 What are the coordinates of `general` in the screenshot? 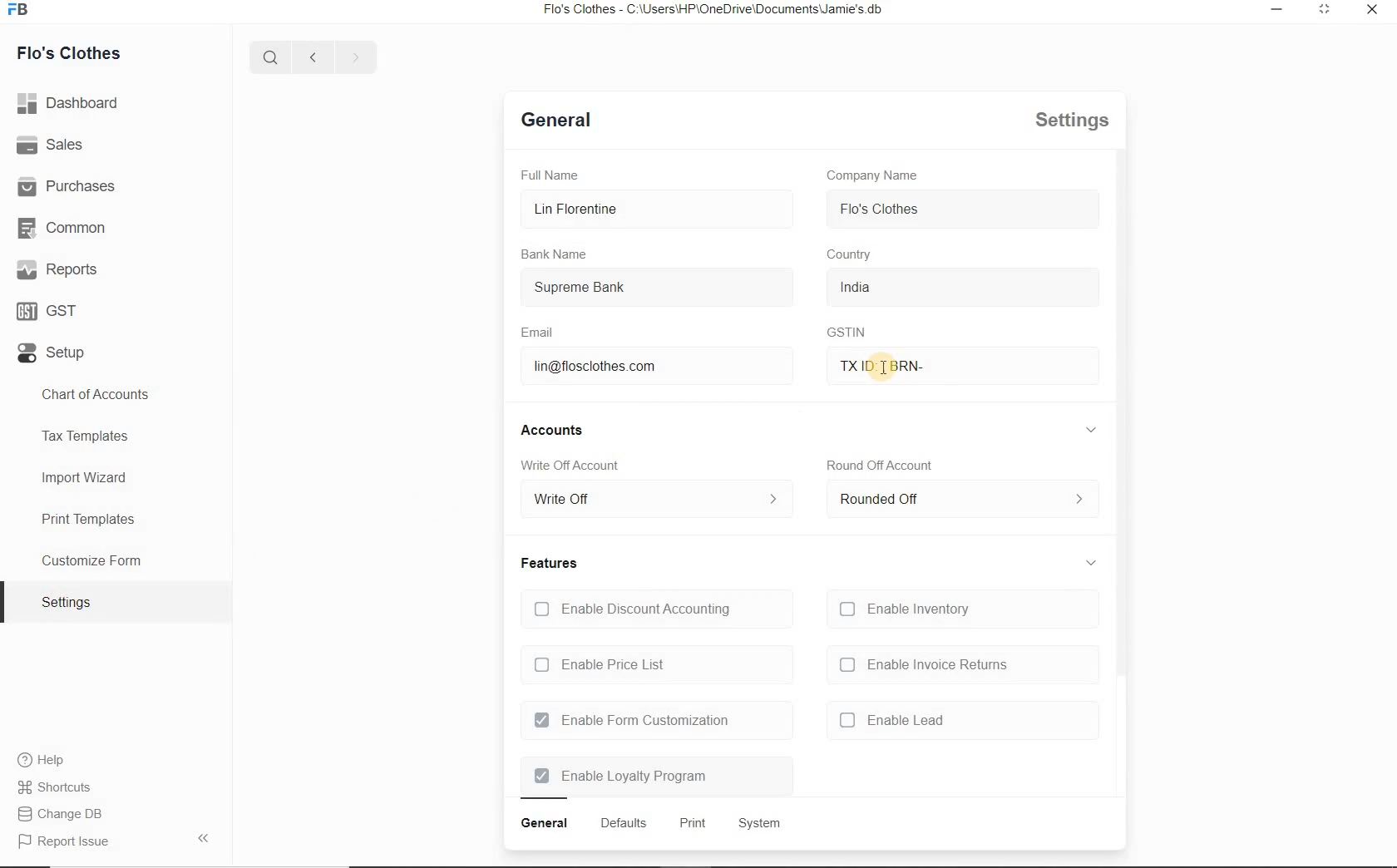 It's located at (558, 123).